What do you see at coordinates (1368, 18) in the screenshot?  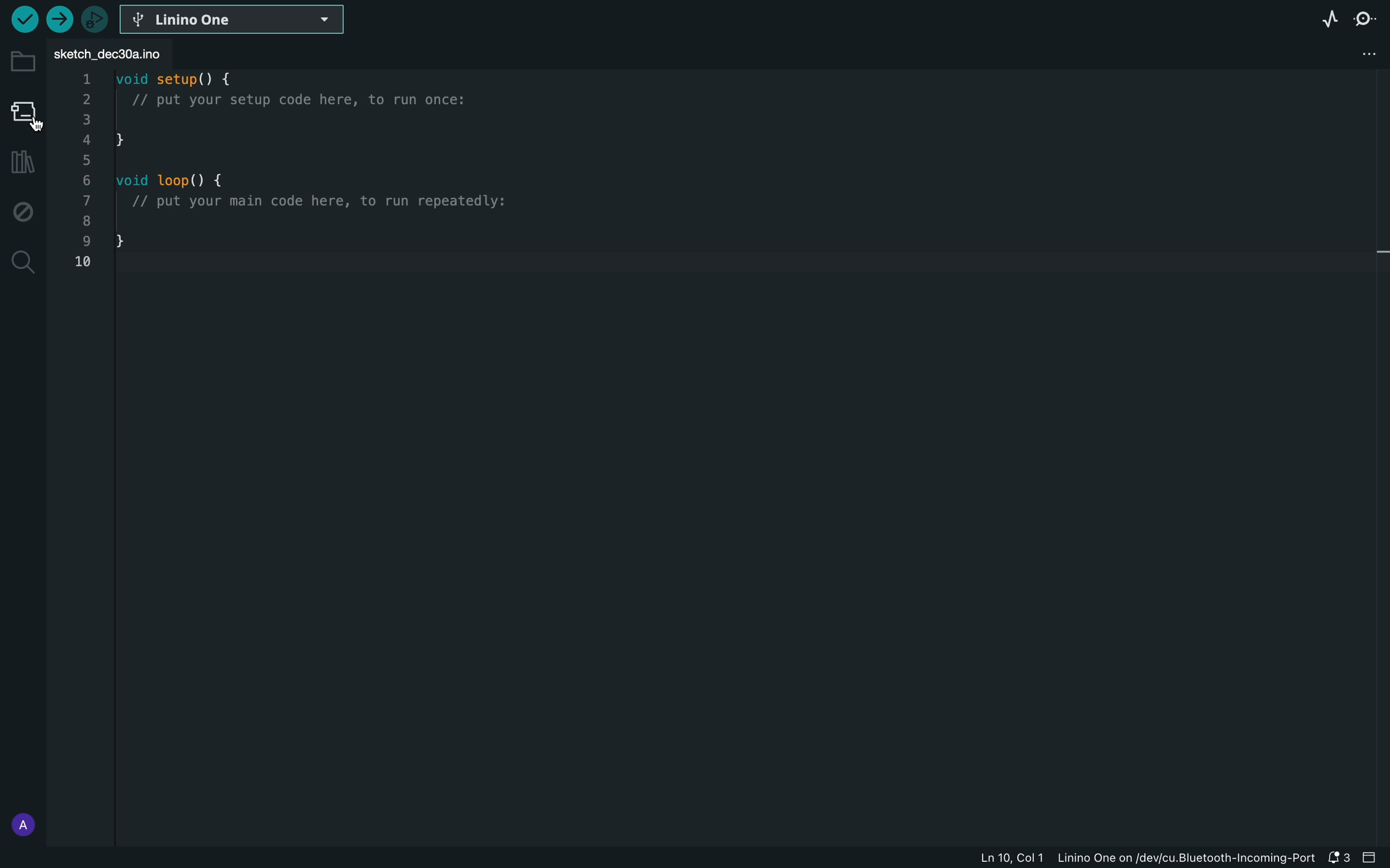 I see `serial monitor` at bounding box center [1368, 18].